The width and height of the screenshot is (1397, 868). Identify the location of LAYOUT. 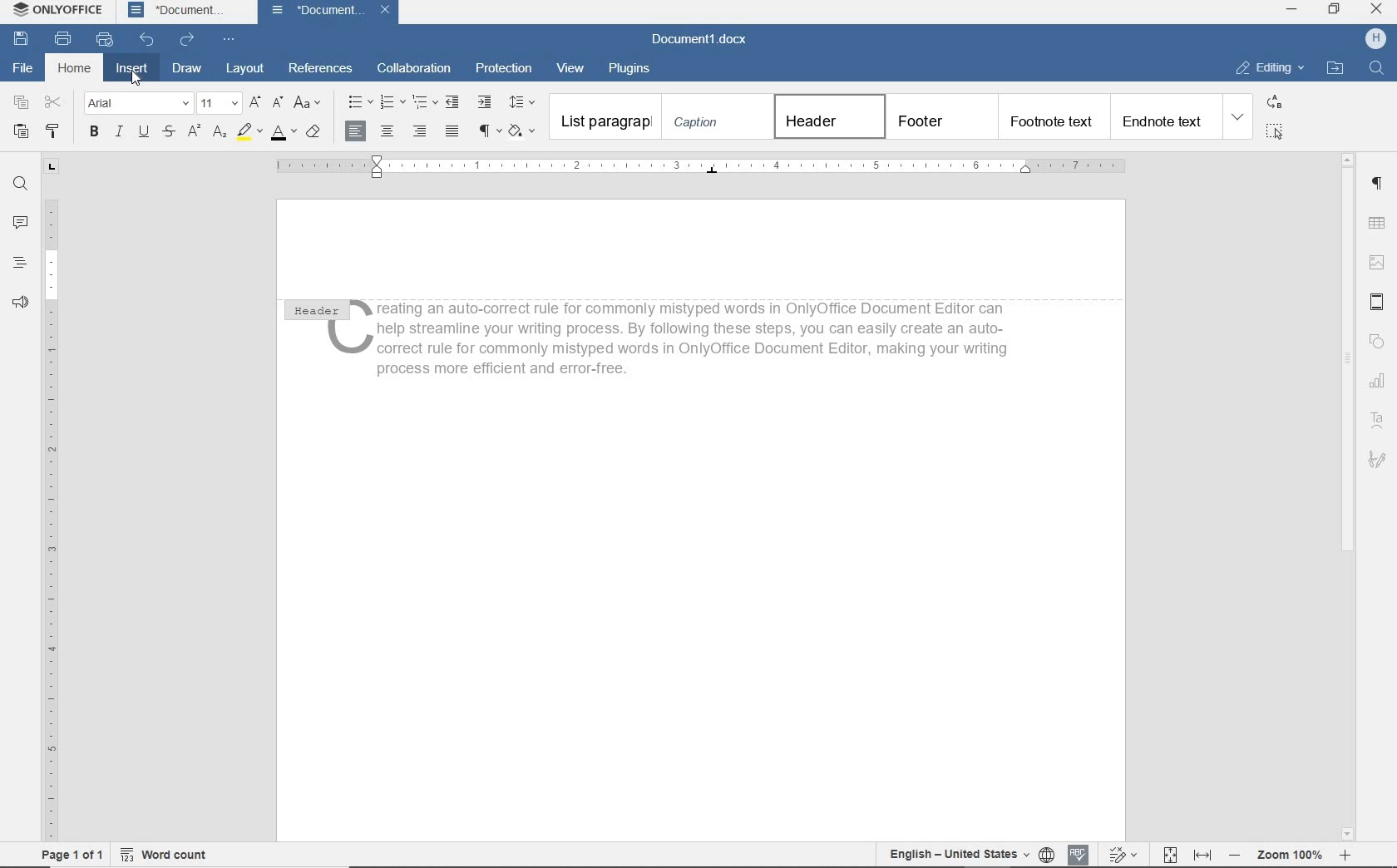
(245, 68).